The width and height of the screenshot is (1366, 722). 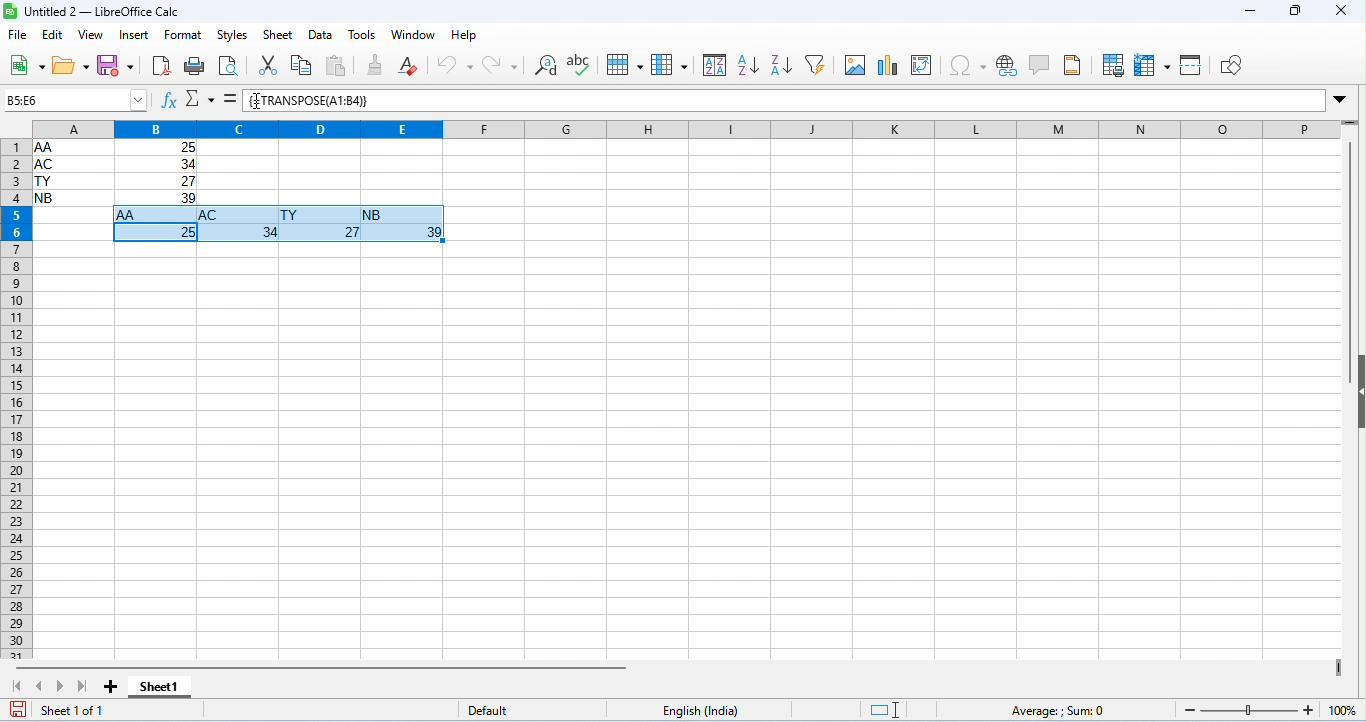 I want to click on horizontal scroll bar, so click(x=322, y=667).